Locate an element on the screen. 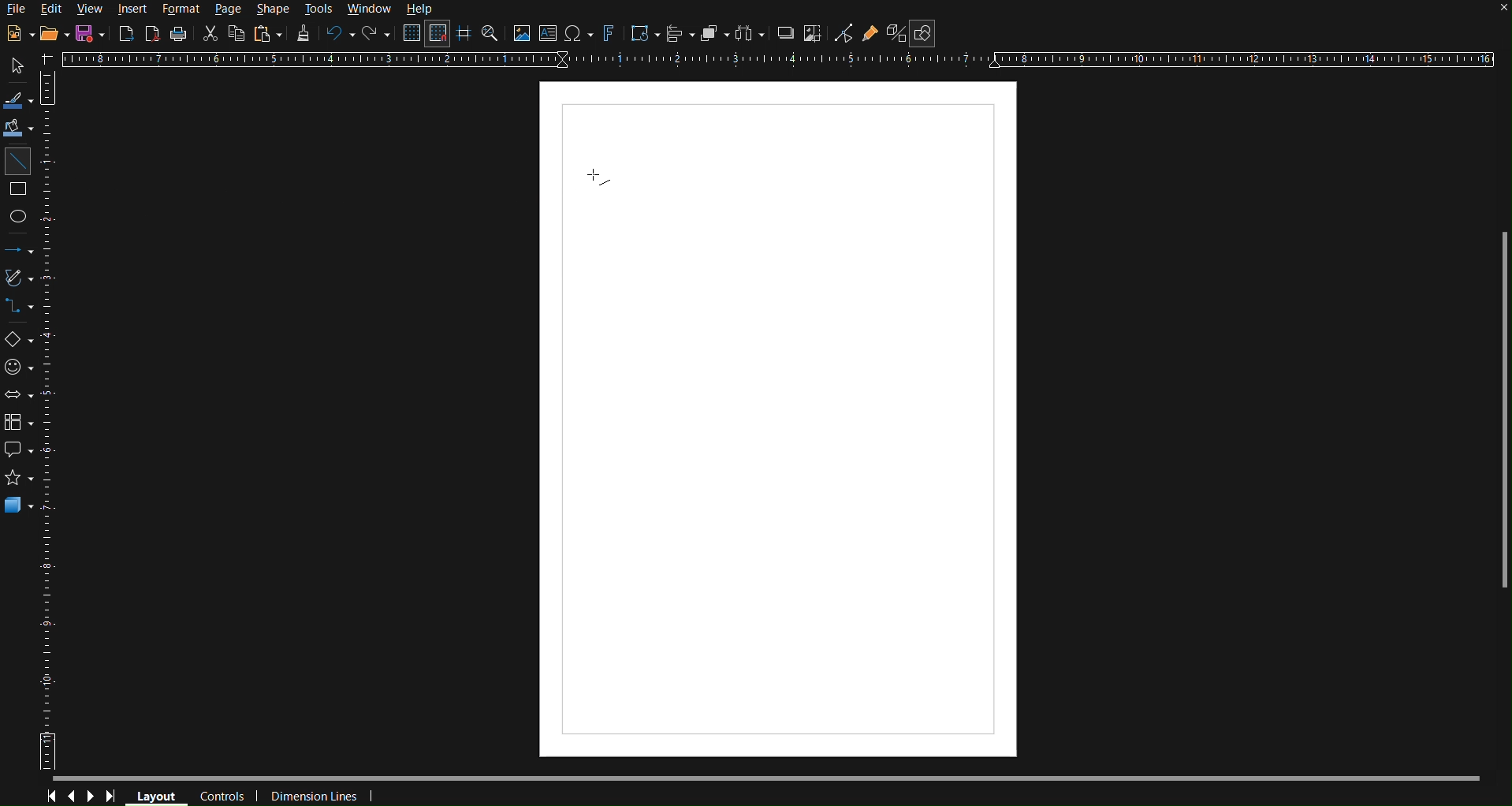 The width and height of the screenshot is (1512, 806). Shape is located at coordinates (274, 9).